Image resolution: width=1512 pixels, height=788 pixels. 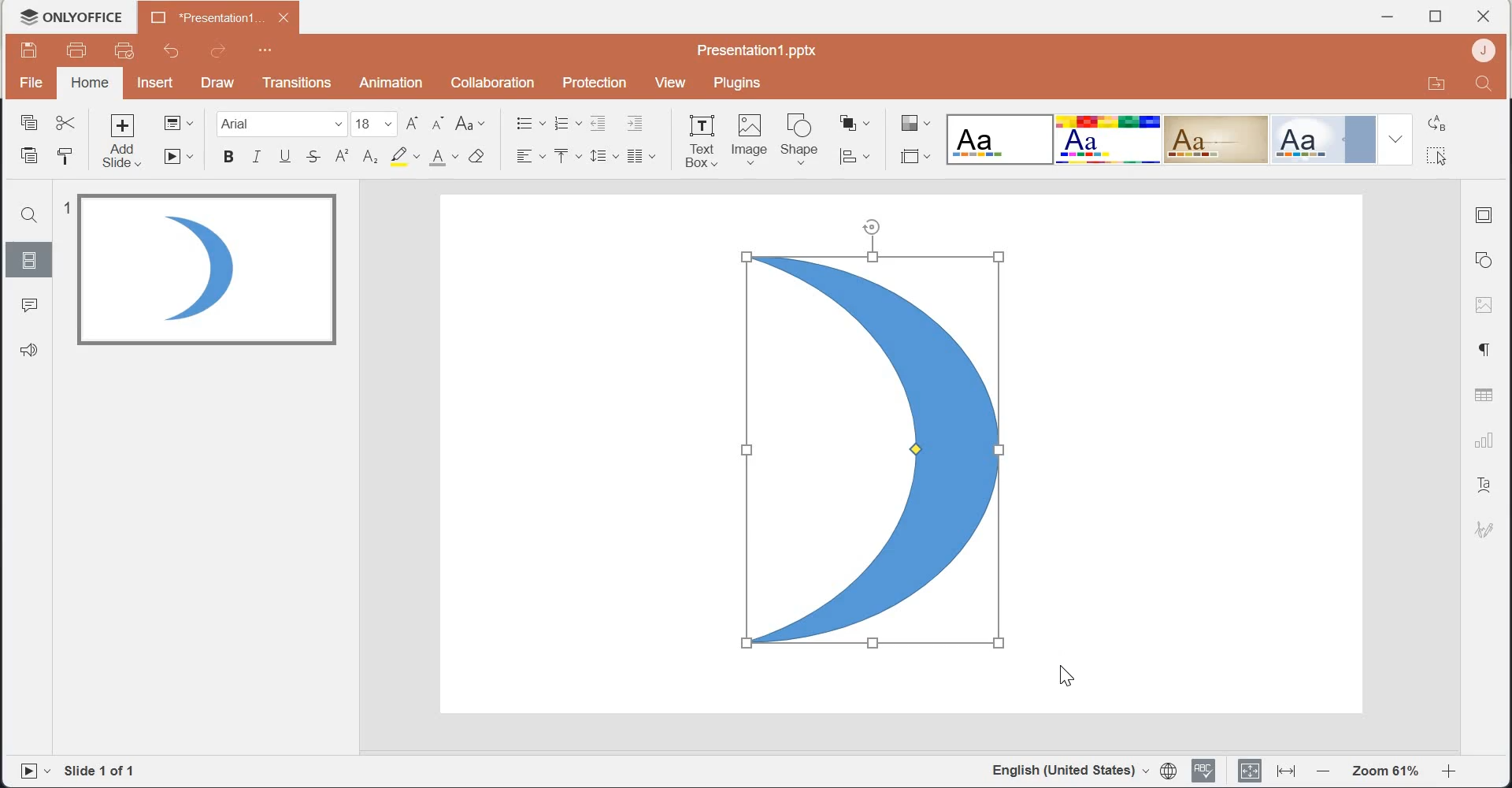 I want to click on Shape, so click(x=1488, y=257).